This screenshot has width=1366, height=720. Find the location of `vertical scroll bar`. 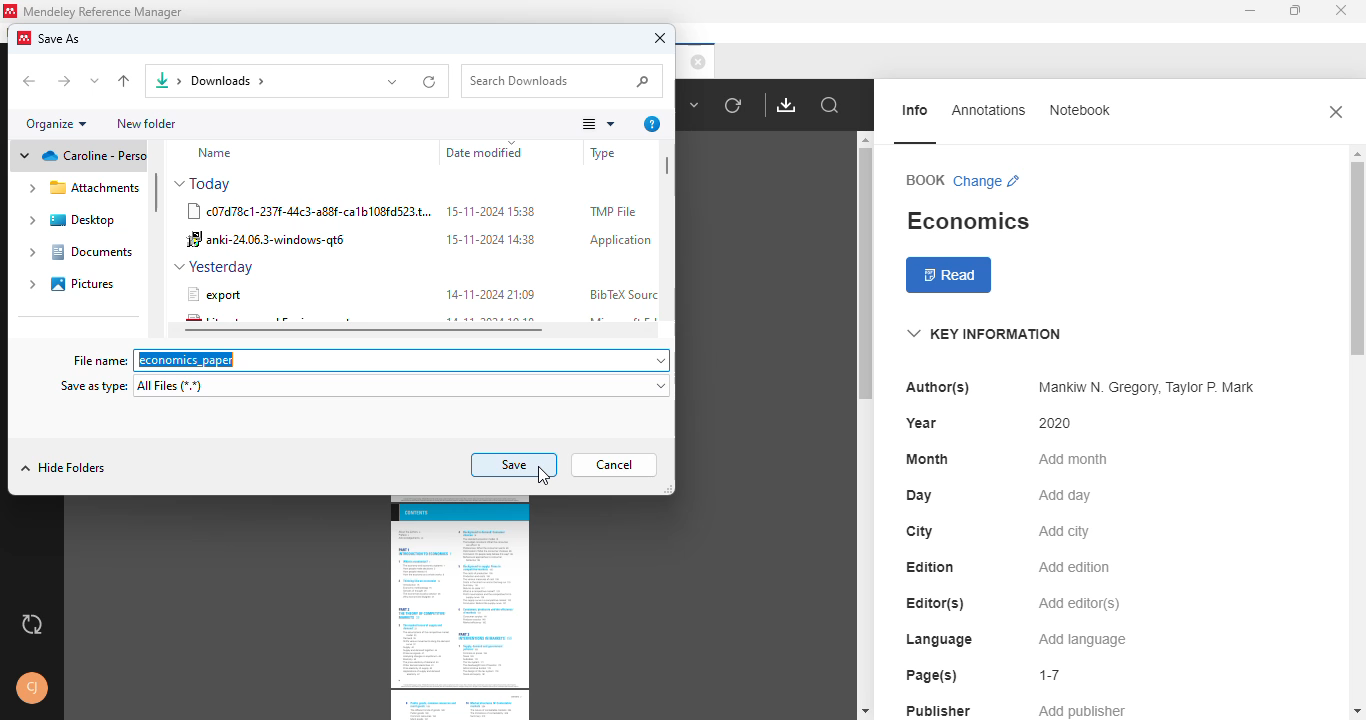

vertical scroll bar is located at coordinates (862, 275).